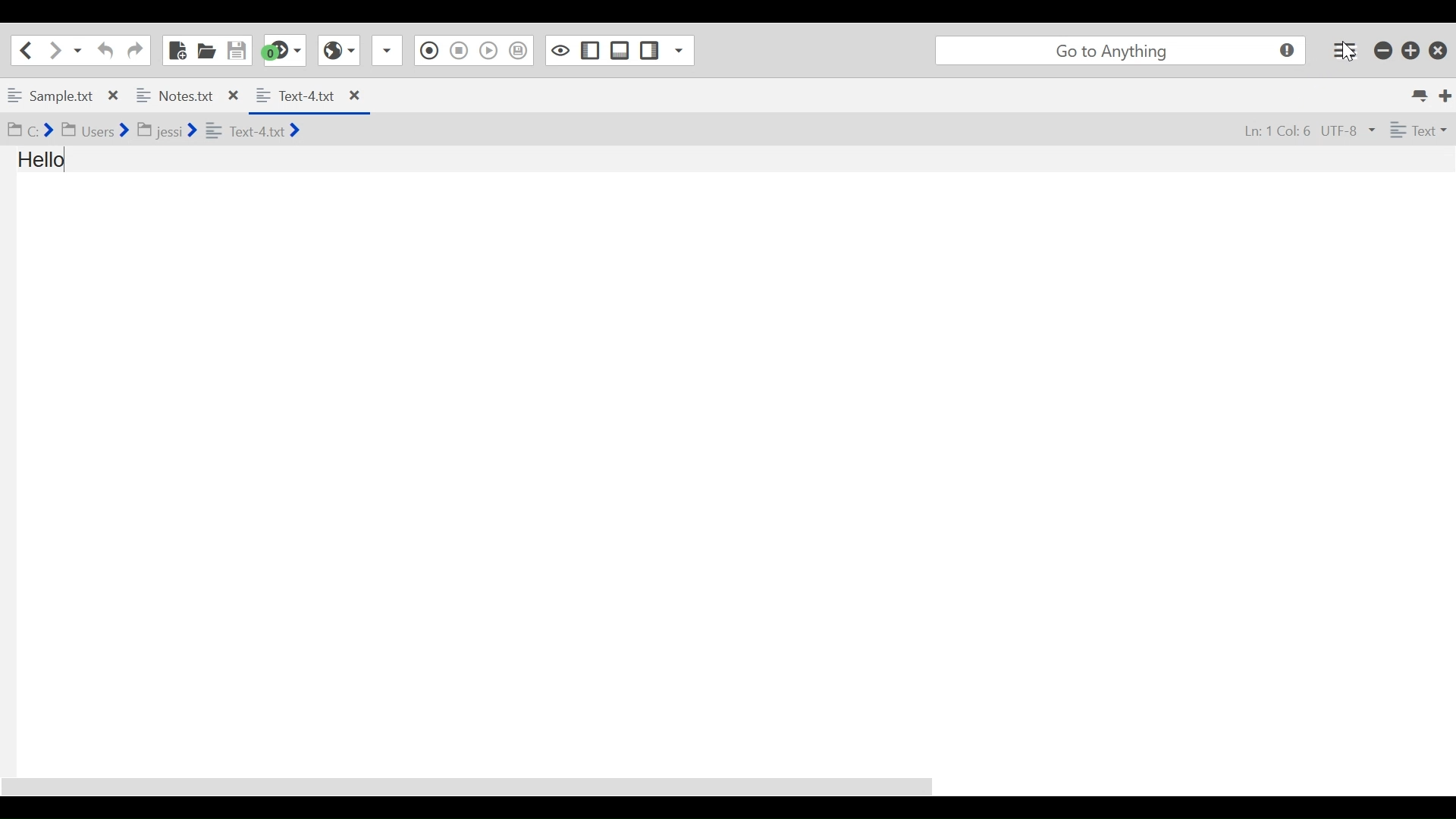  Describe the element at coordinates (1411, 50) in the screenshot. I see `Restore` at that location.